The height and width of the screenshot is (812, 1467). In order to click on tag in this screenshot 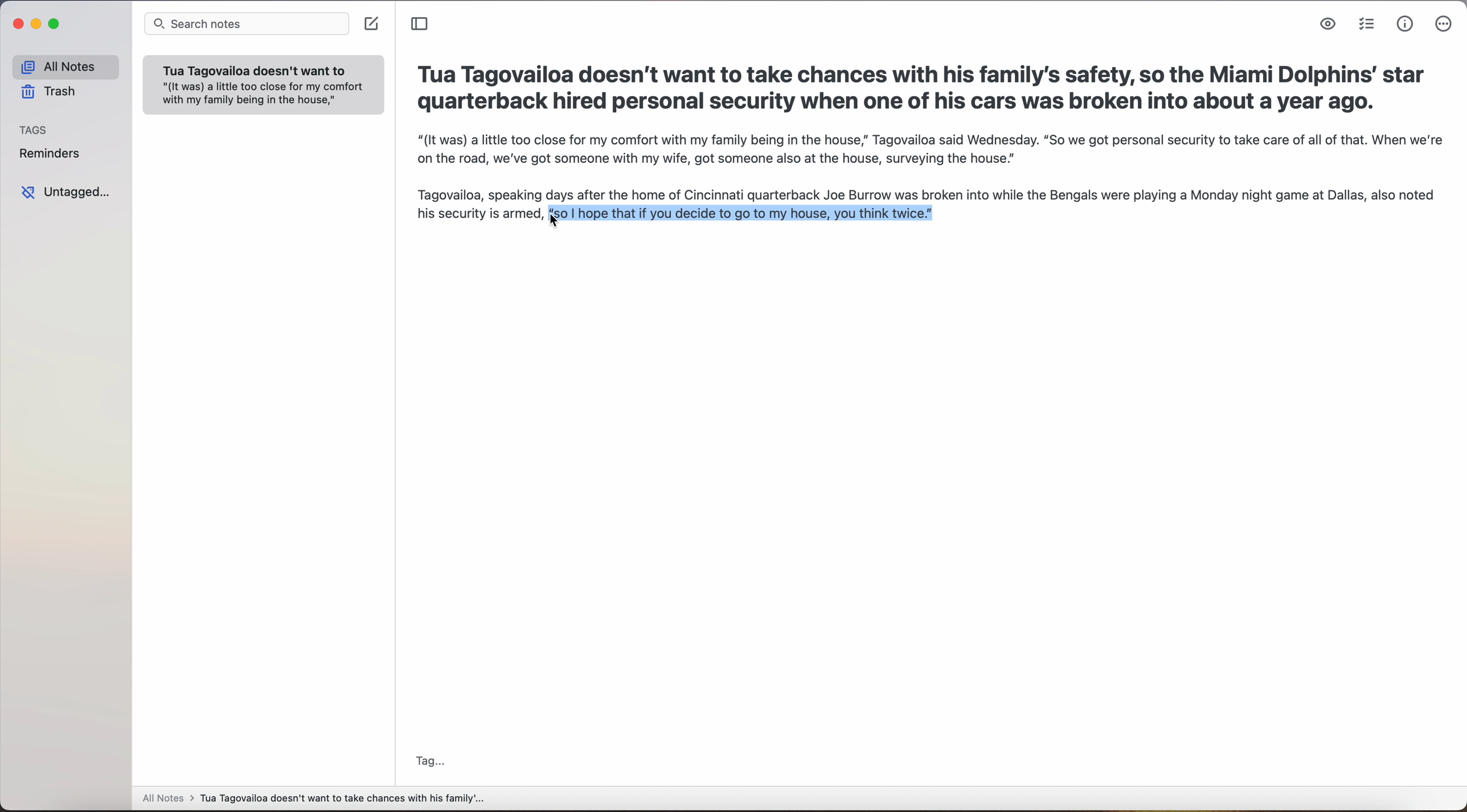, I will do `click(428, 761)`.